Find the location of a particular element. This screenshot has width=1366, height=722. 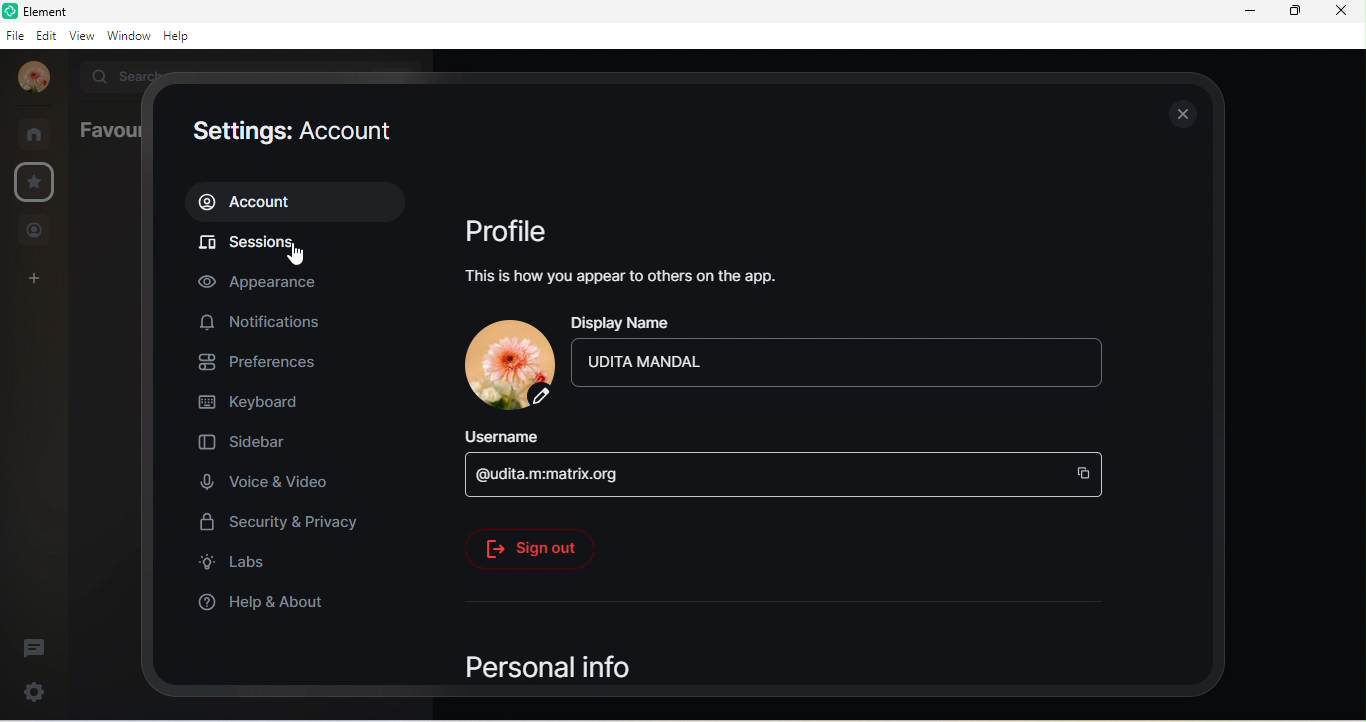

sessions is located at coordinates (291, 245).